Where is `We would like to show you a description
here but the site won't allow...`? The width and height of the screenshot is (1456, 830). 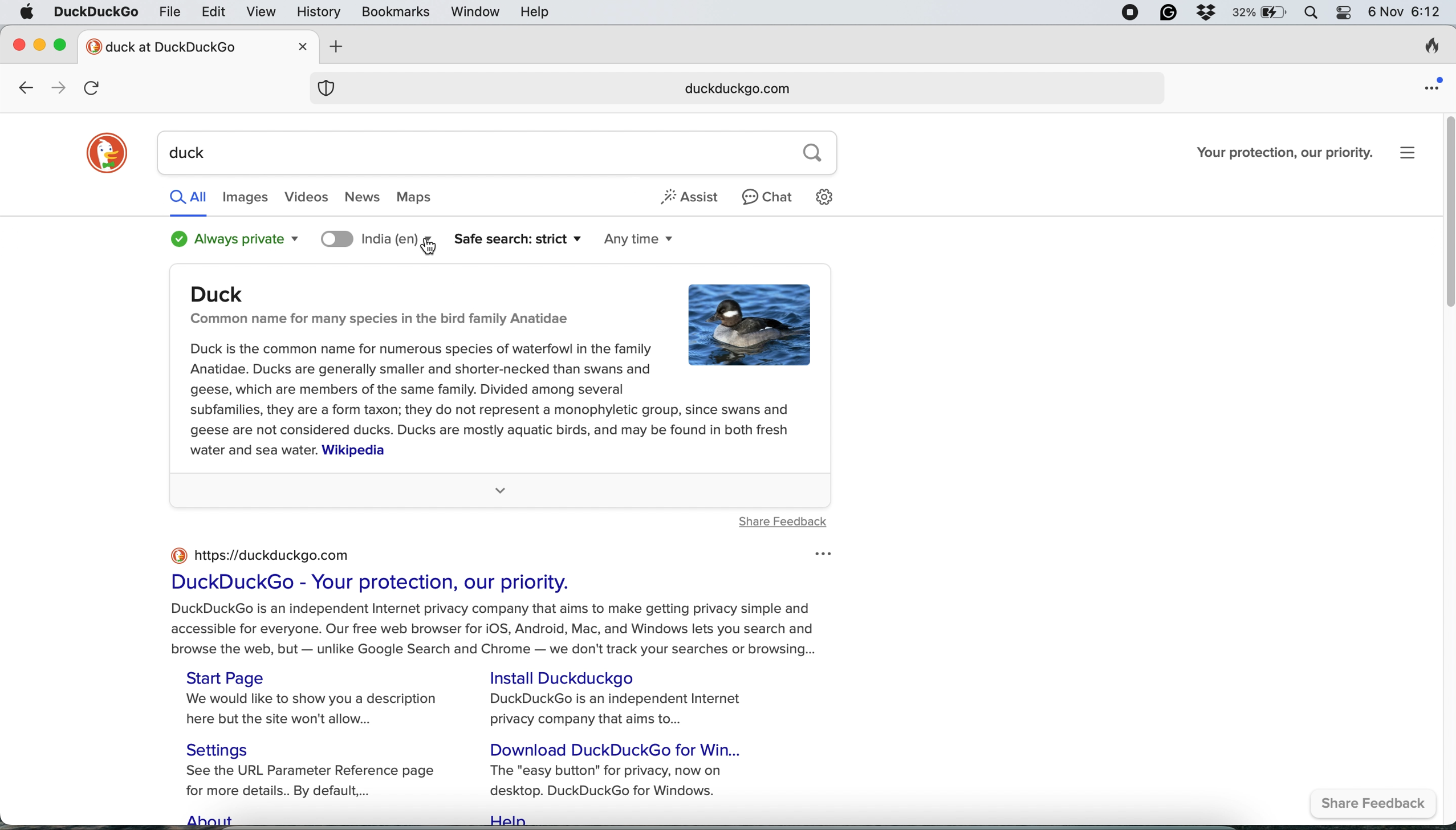
We would like to show you a description
here but the site won't allow... is located at coordinates (317, 711).